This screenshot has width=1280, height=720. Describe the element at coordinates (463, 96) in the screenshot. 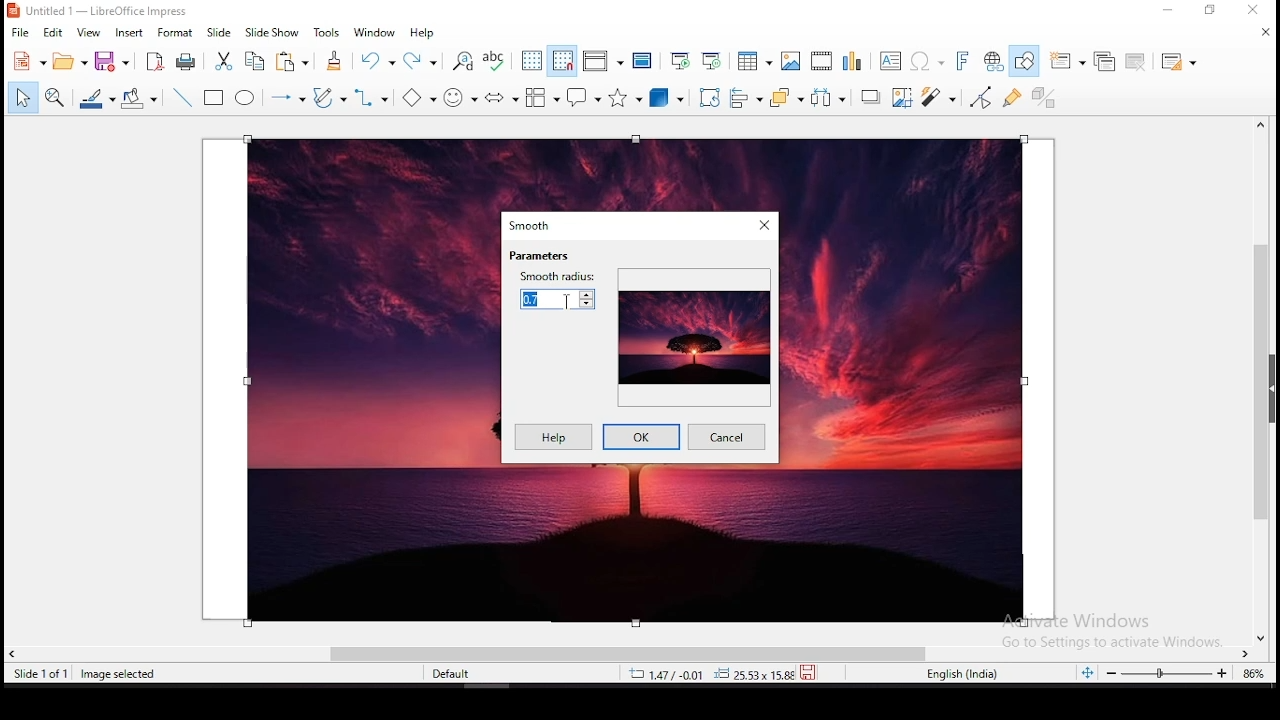

I see `symbol shapes` at that location.